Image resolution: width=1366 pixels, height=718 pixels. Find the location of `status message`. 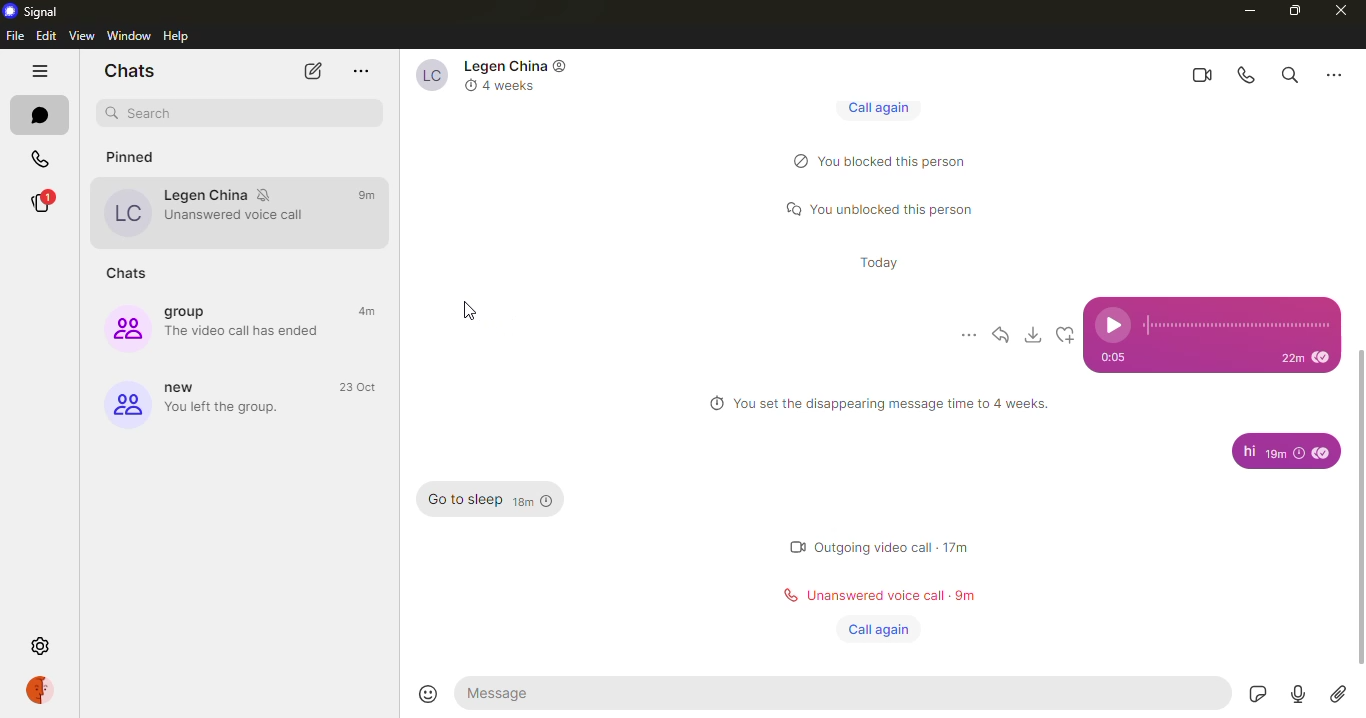

status message is located at coordinates (852, 549).